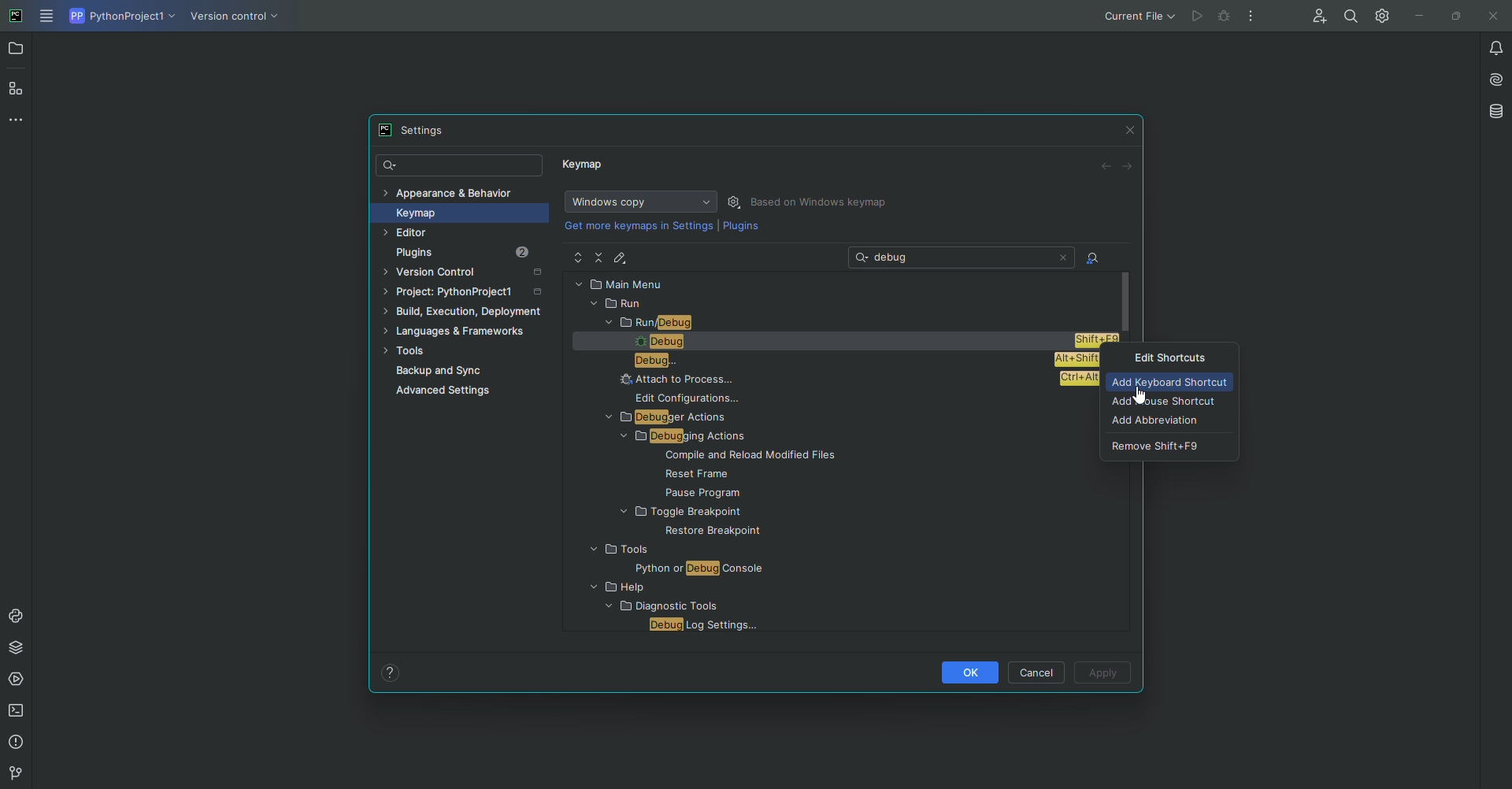 This screenshot has height=789, width=1512. What do you see at coordinates (48, 17) in the screenshot?
I see `Main Menu` at bounding box center [48, 17].